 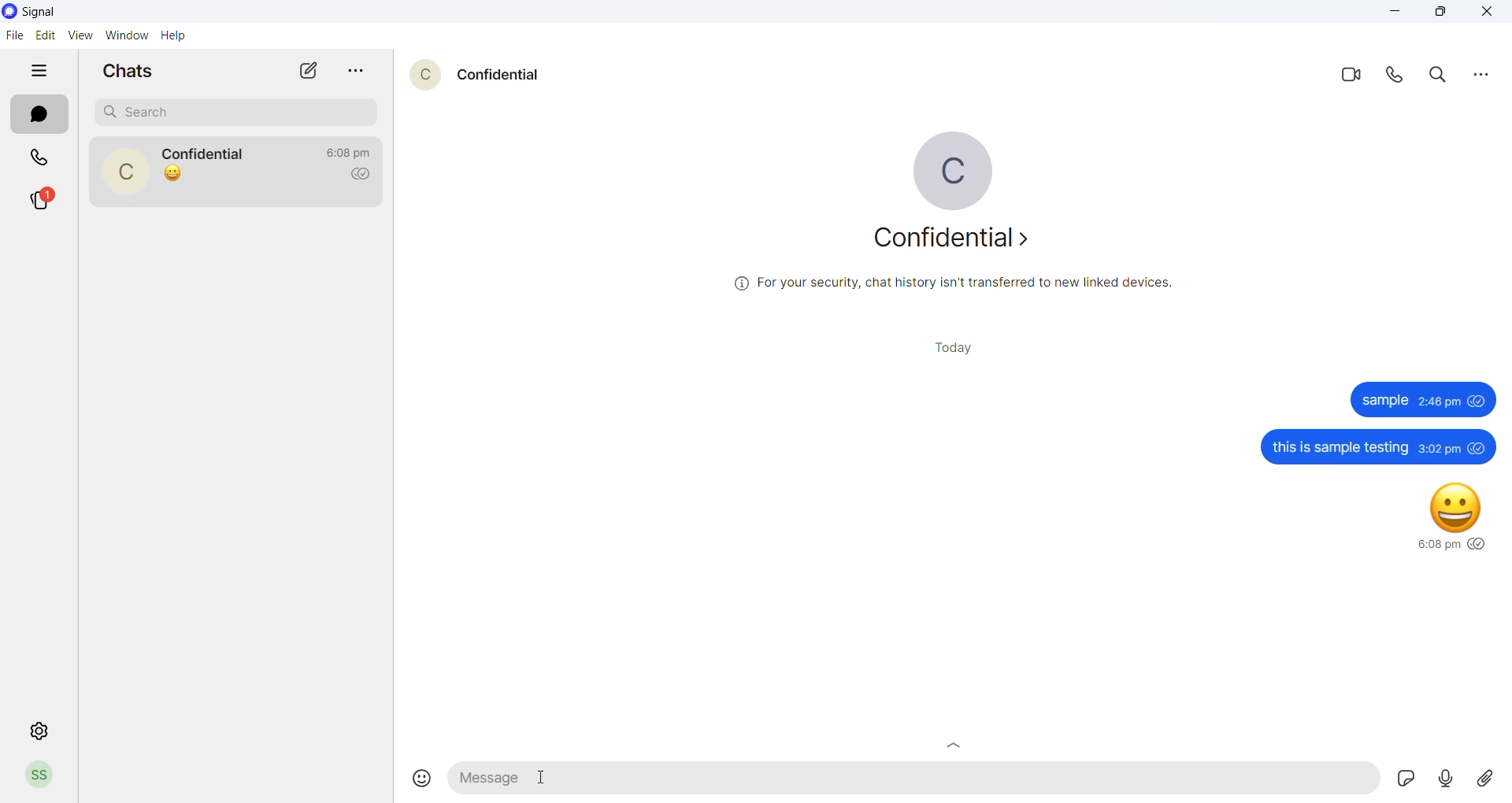 What do you see at coordinates (1373, 446) in the screenshot?
I see `this is sample testing` at bounding box center [1373, 446].